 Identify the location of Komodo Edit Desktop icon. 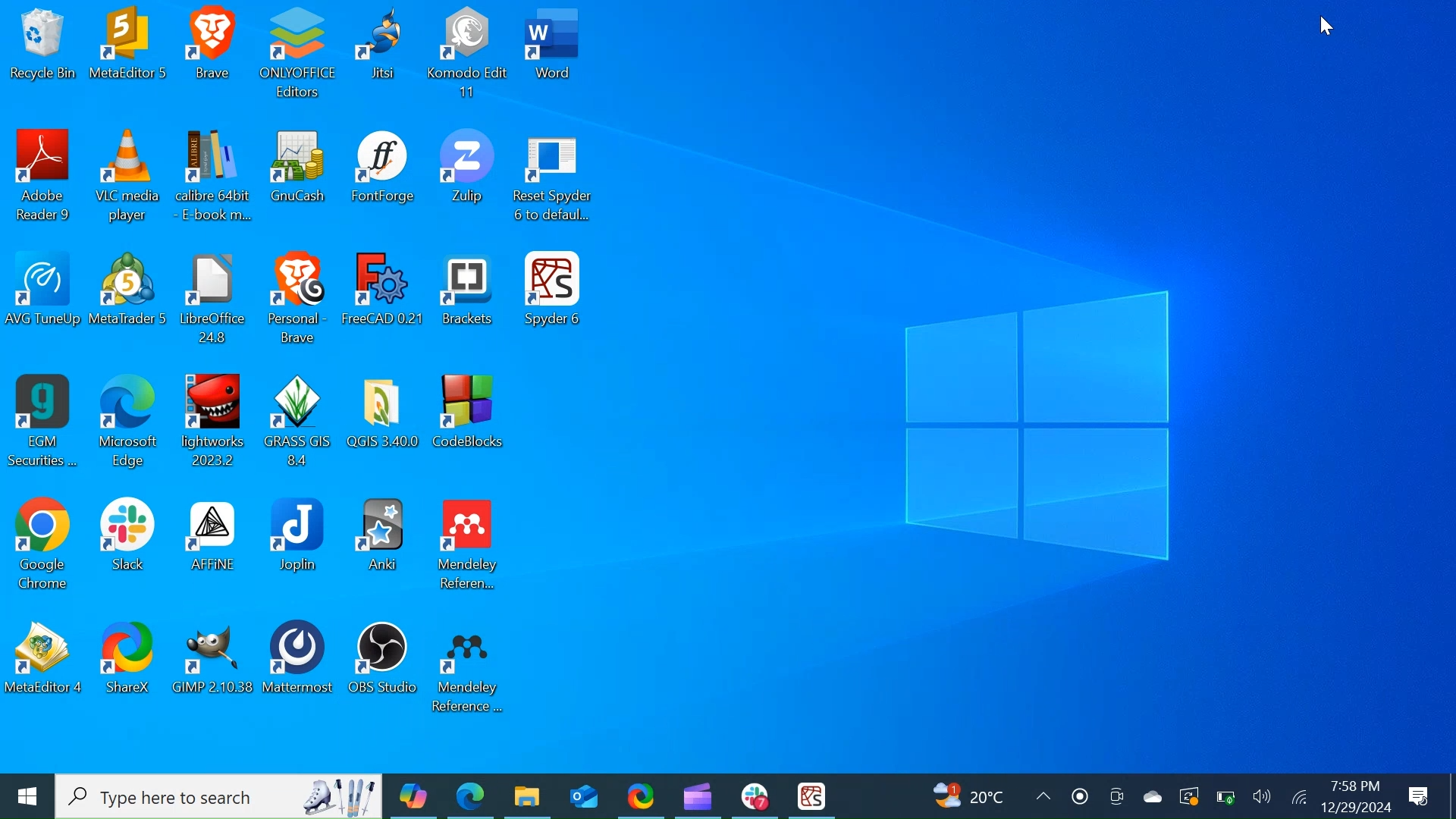
(471, 52).